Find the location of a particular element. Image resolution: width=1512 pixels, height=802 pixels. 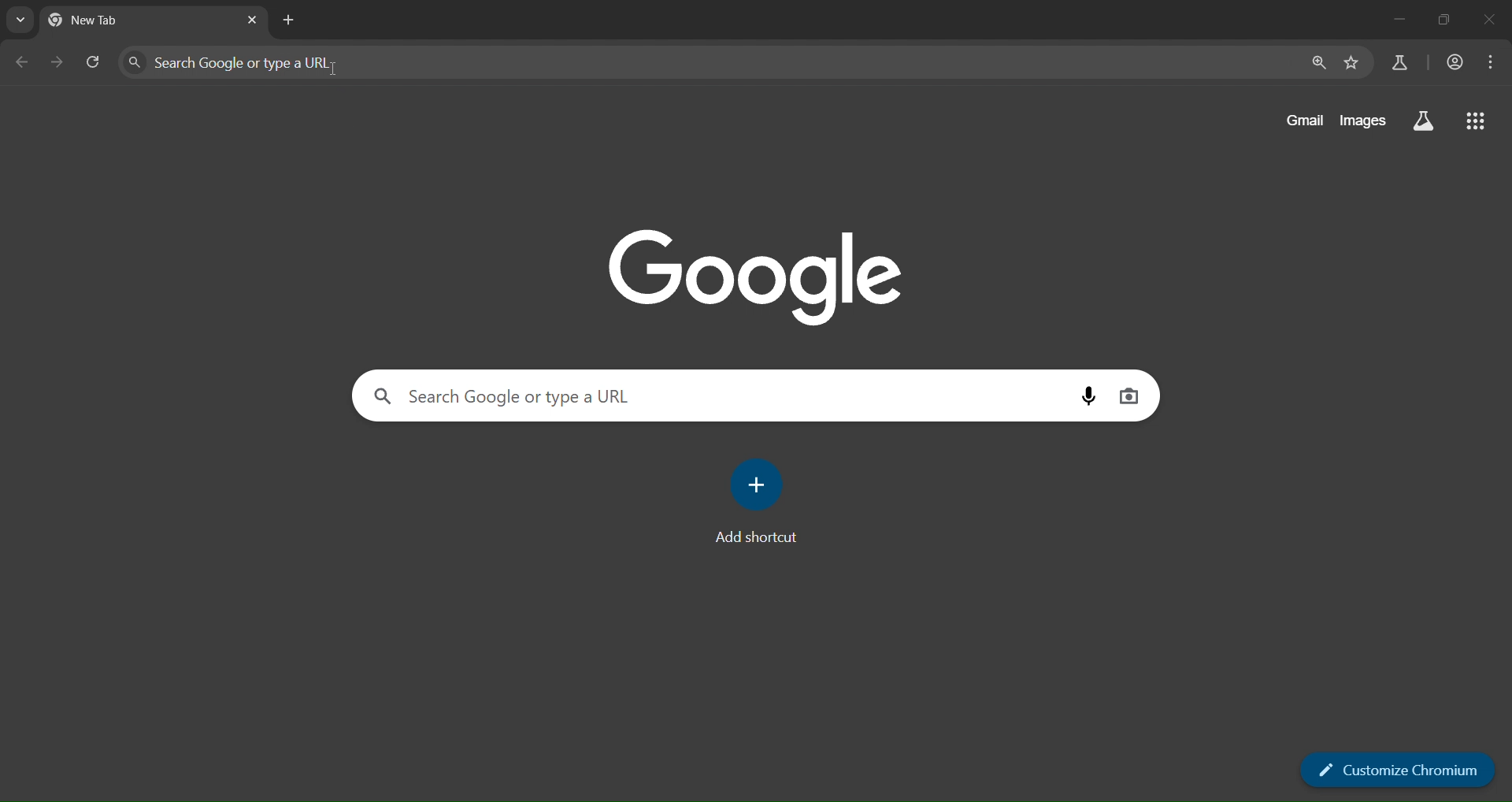

reload pages is located at coordinates (94, 65).